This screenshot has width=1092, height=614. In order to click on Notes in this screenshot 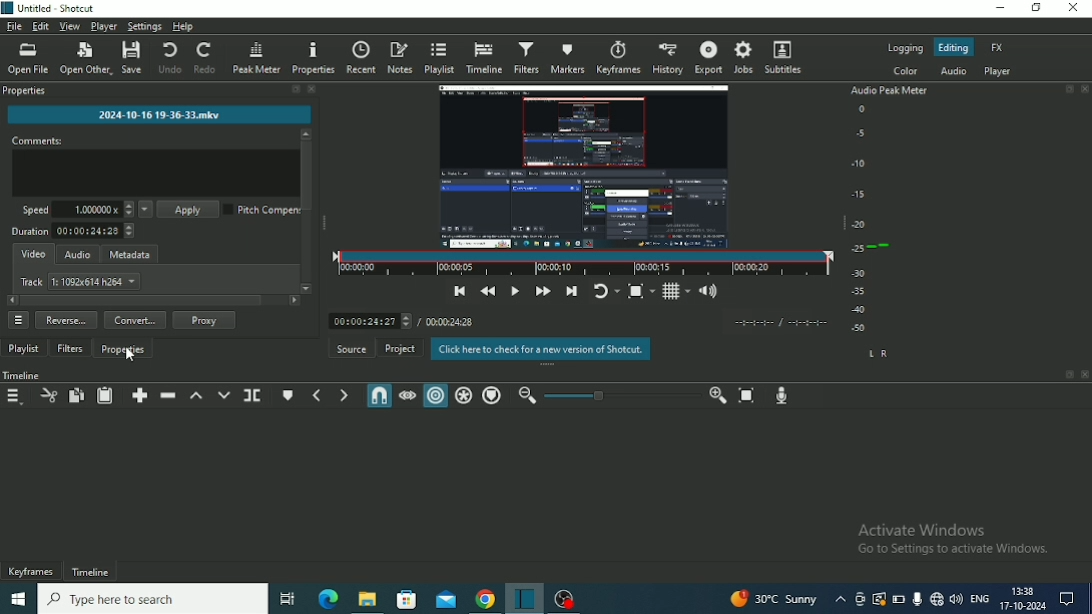, I will do `click(399, 58)`.